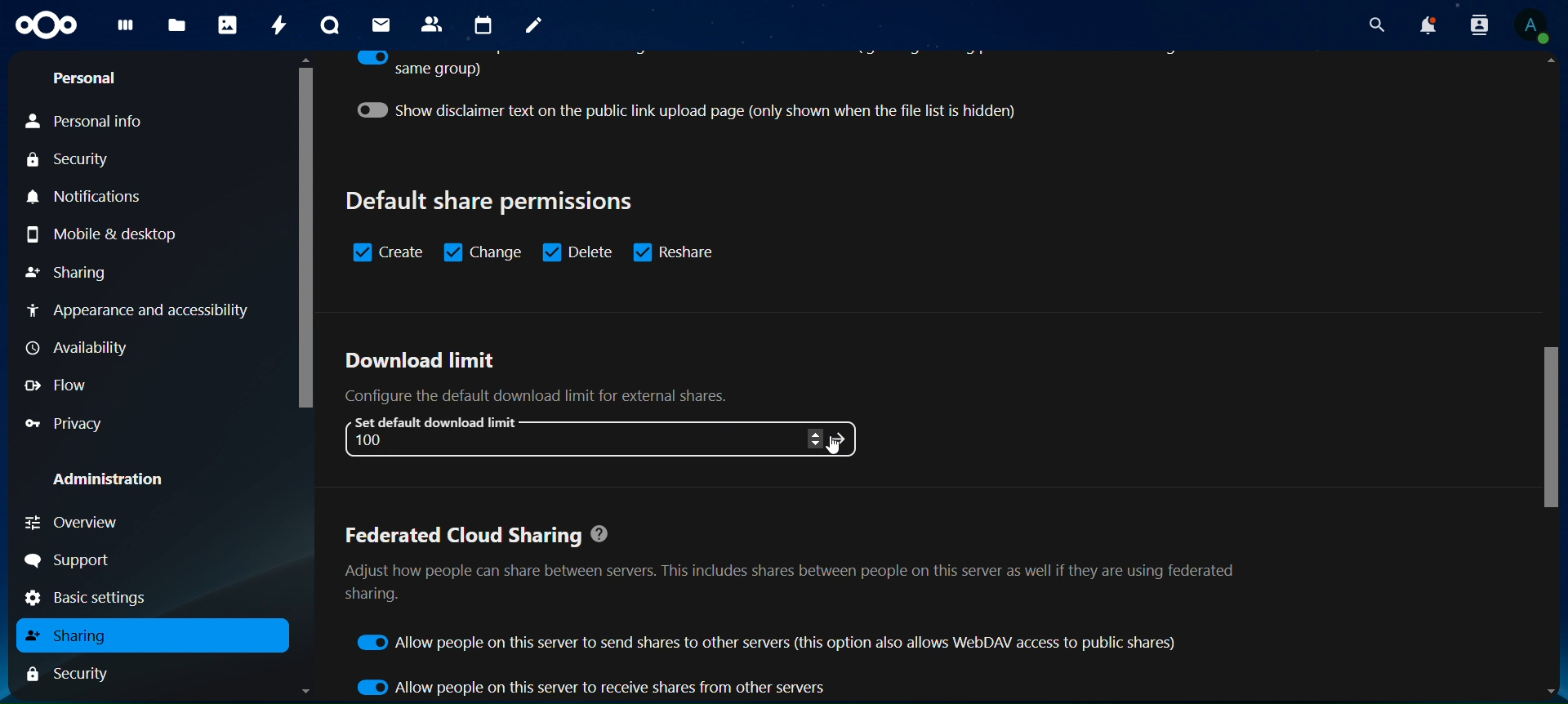 The height and width of the screenshot is (704, 1568). I want to click on availability, so click(82, 348).